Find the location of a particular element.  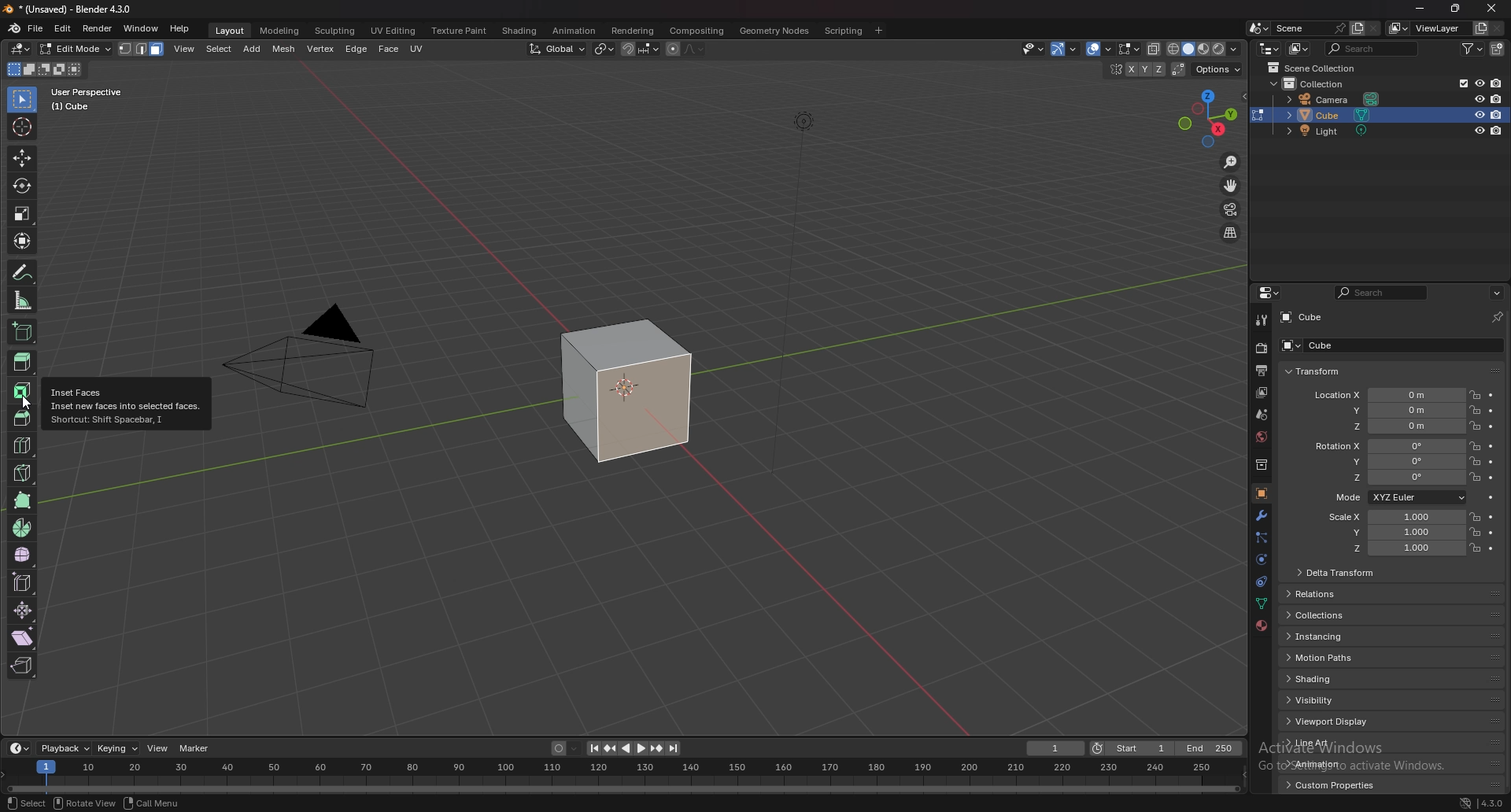

edit mode is located at coordinates (76, 49).